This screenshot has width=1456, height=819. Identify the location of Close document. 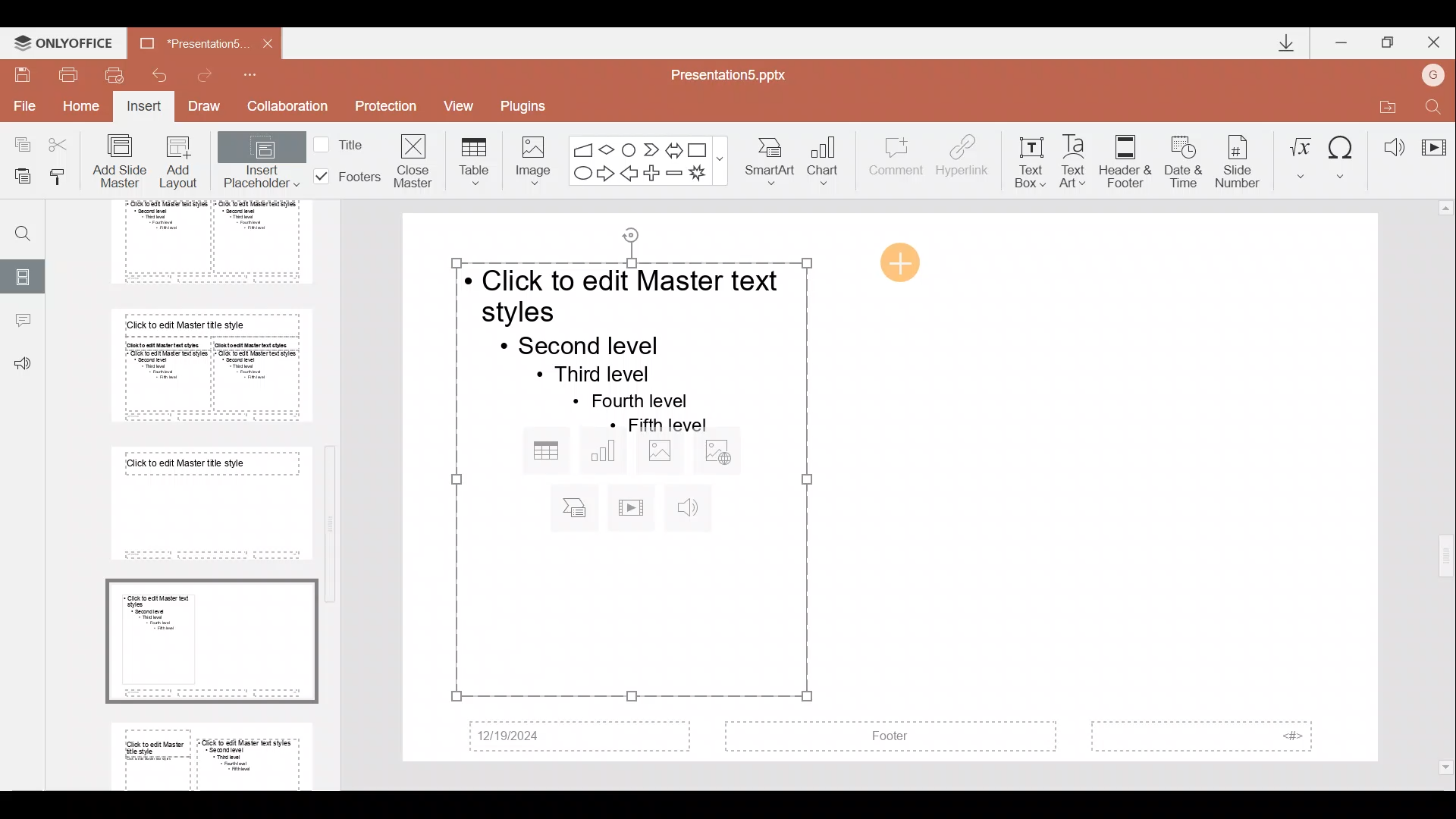
(263, 42).